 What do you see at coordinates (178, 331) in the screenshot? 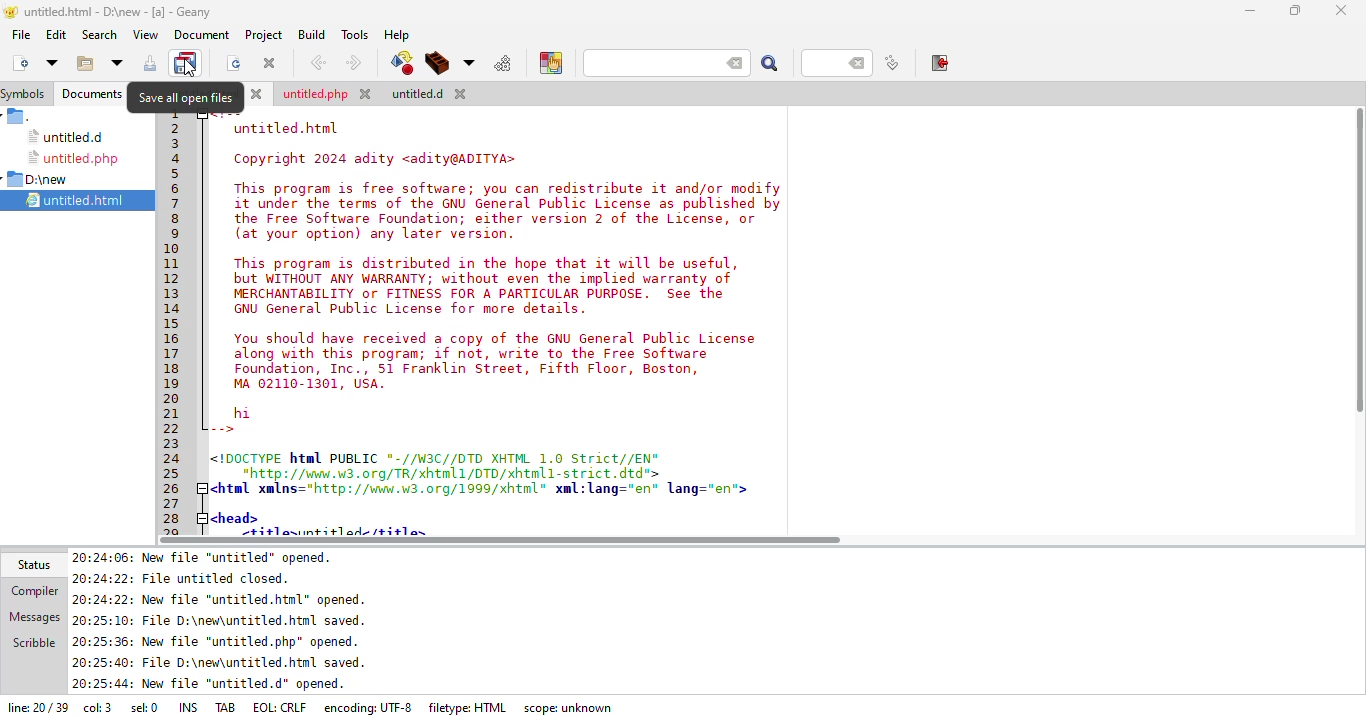
I see `line number` at bounding box center [178, 331].